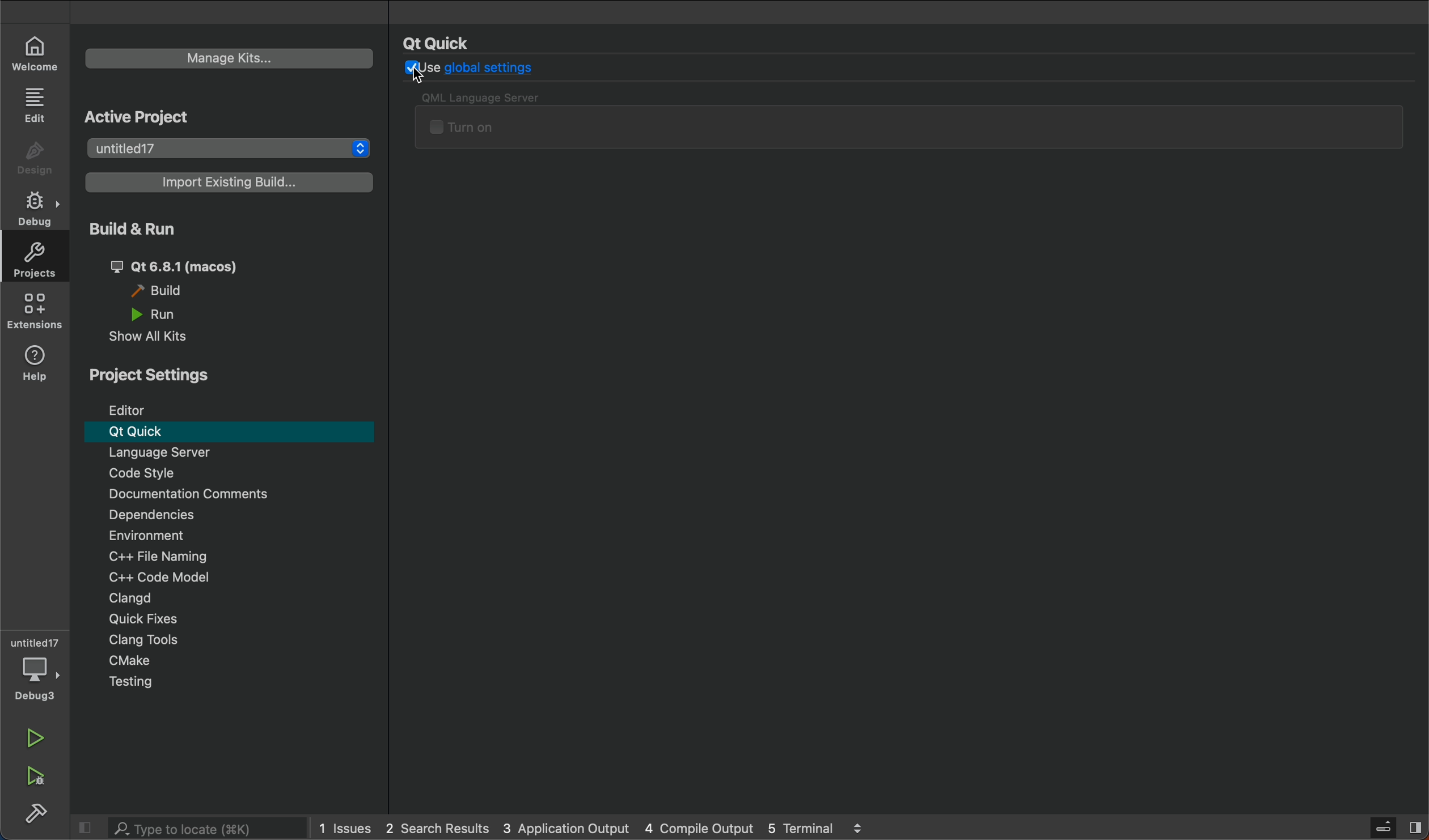 Image resolution: width=1429 pixels, height=840 pixels. Describe the element at coordinates (483, 68) in the screenshot. I see `use global settings ` at that location.